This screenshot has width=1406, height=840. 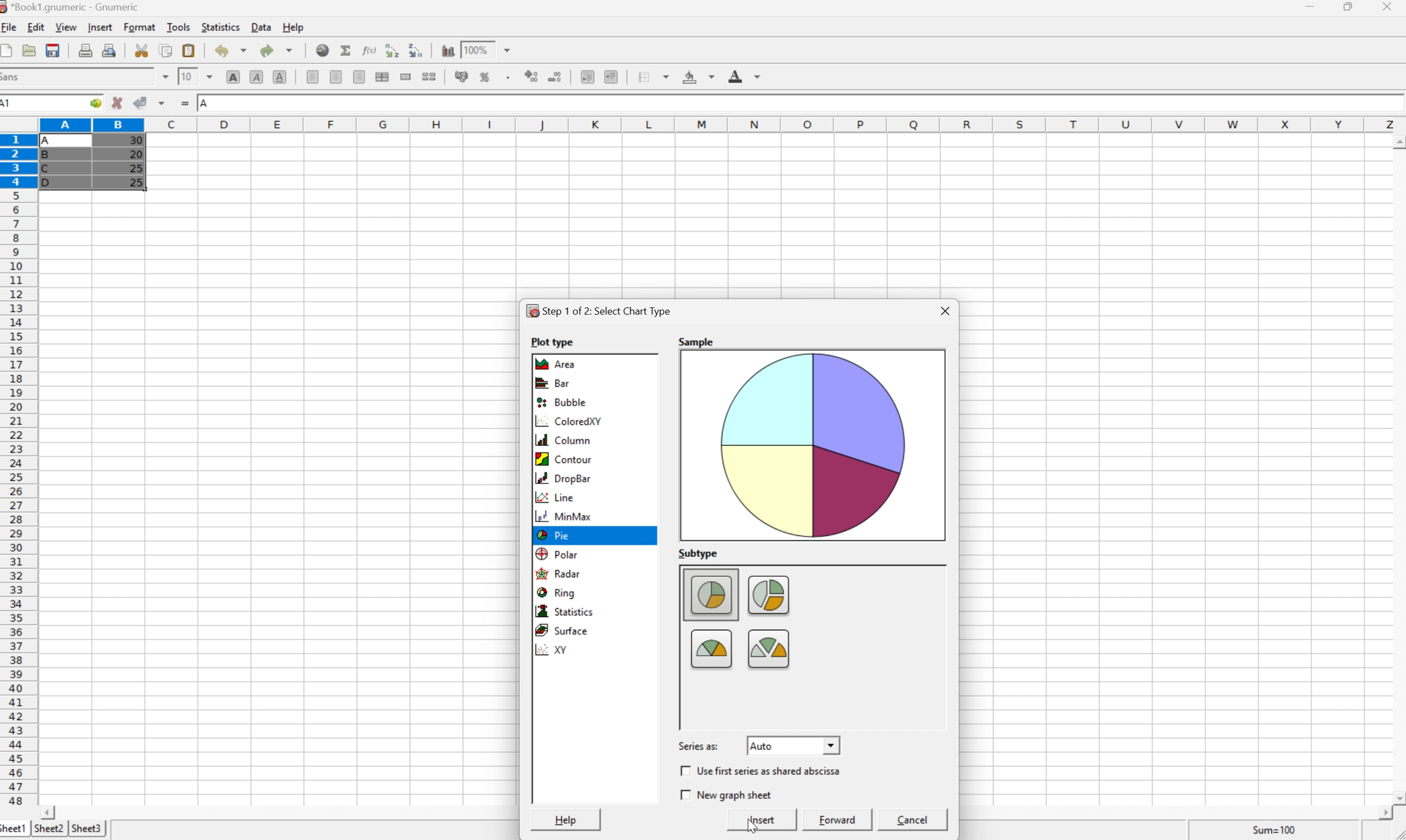 What do you see at coordinates (95, 101) in the screenshot?
I see `Go to` at bounding box center [95, 101].